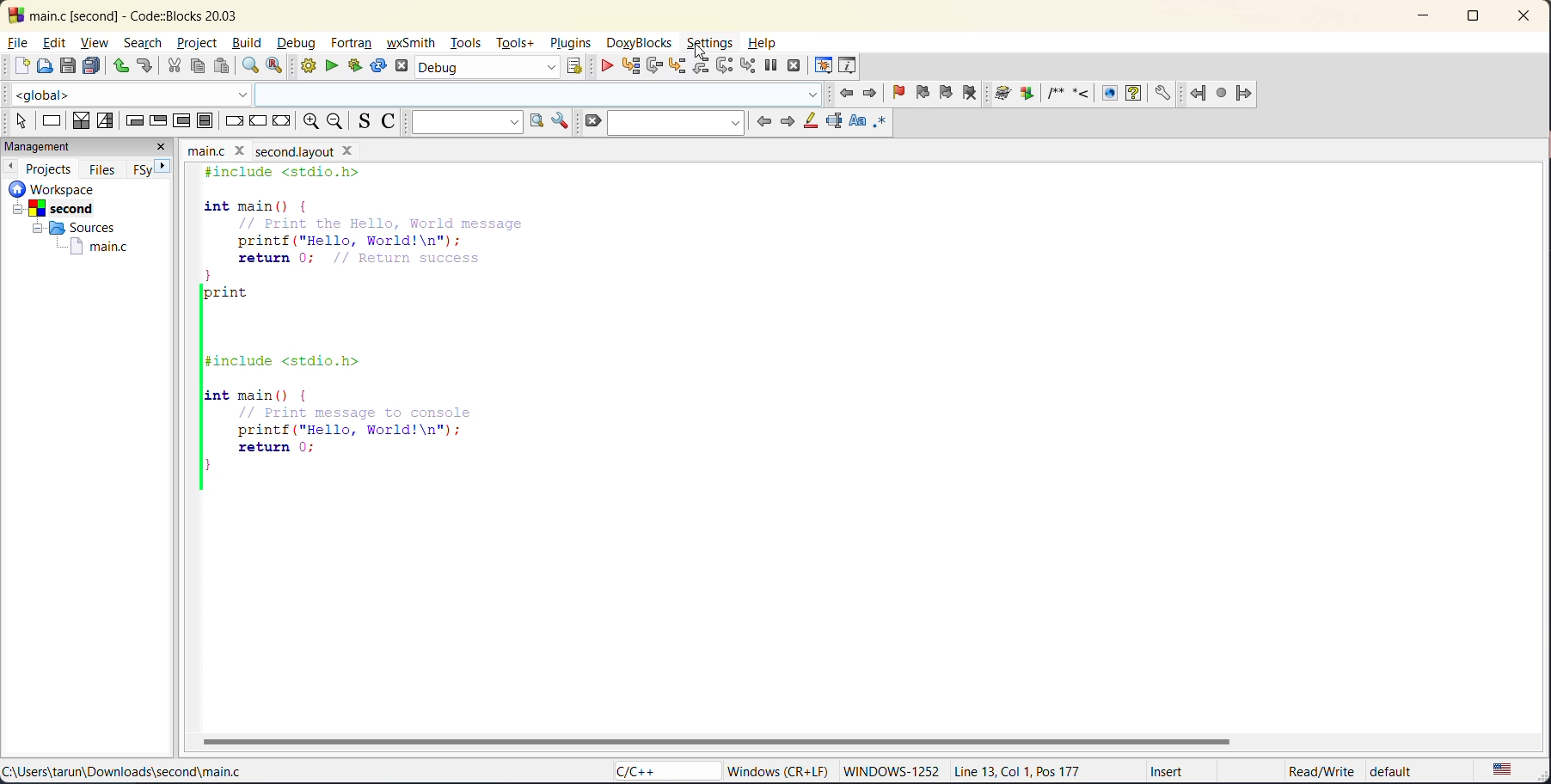  What do you see at coordinates (788, 119) in the screenshot?
I see `next` at bounding box center [788, 119].